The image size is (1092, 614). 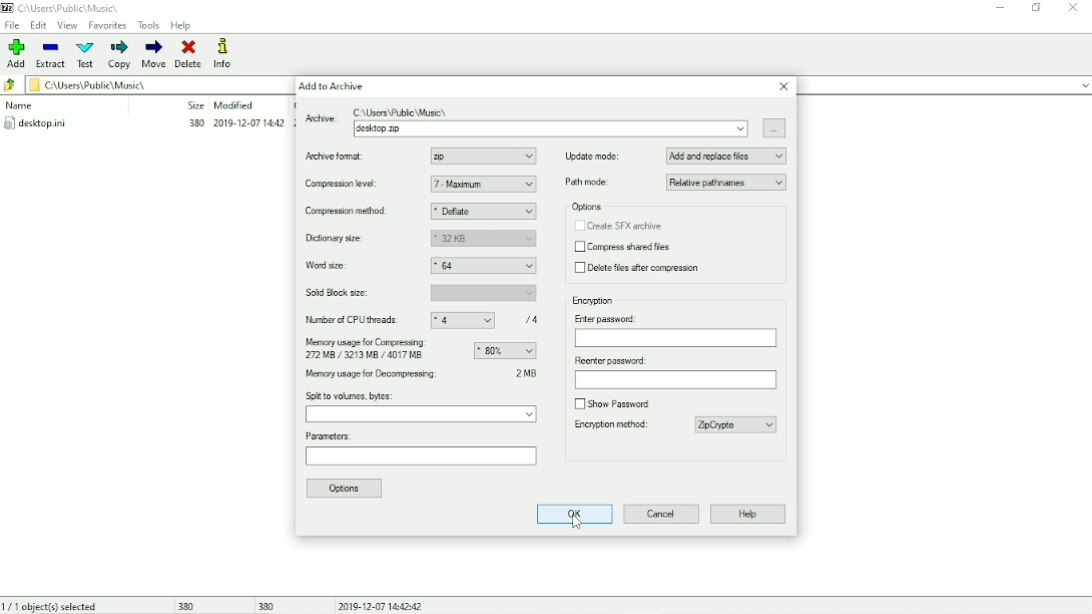 What do you see at coordinates (662, 513) in the screenshot?
I see `Cancel` at bounding box center [662, 513].